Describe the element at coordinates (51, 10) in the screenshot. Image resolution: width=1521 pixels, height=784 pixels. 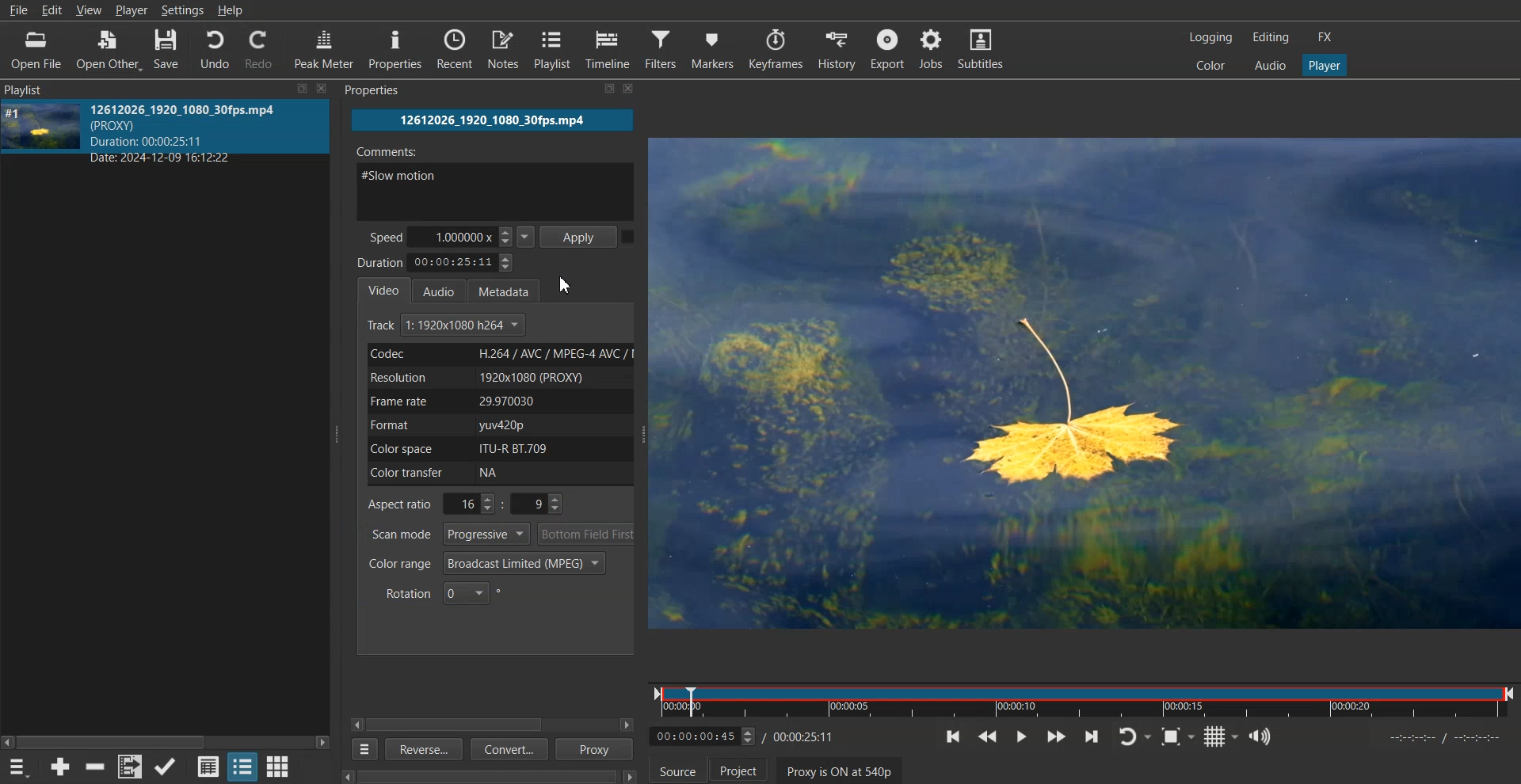
I see `Edit` at that location.